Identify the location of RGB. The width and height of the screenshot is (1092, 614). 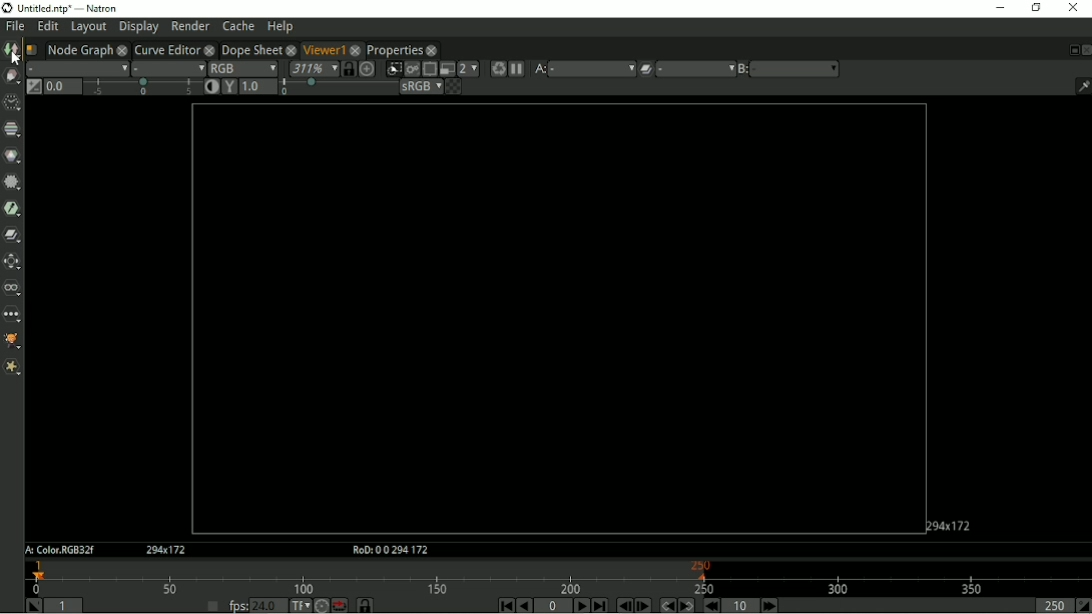
(243, 67).